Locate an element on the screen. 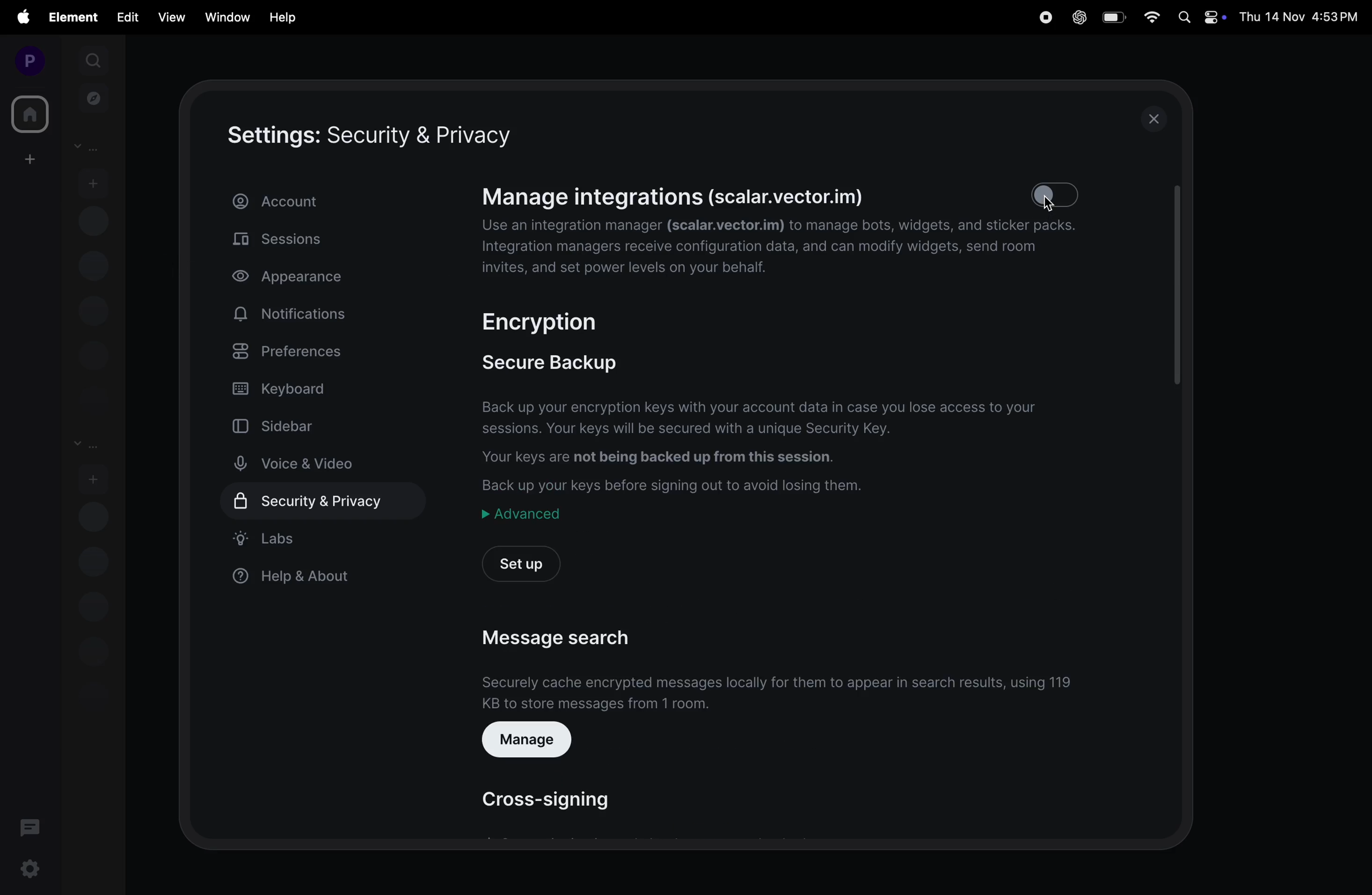 This screenshot has width=1372, height=895. setting security and privacy is located at coordinates (391, 141).